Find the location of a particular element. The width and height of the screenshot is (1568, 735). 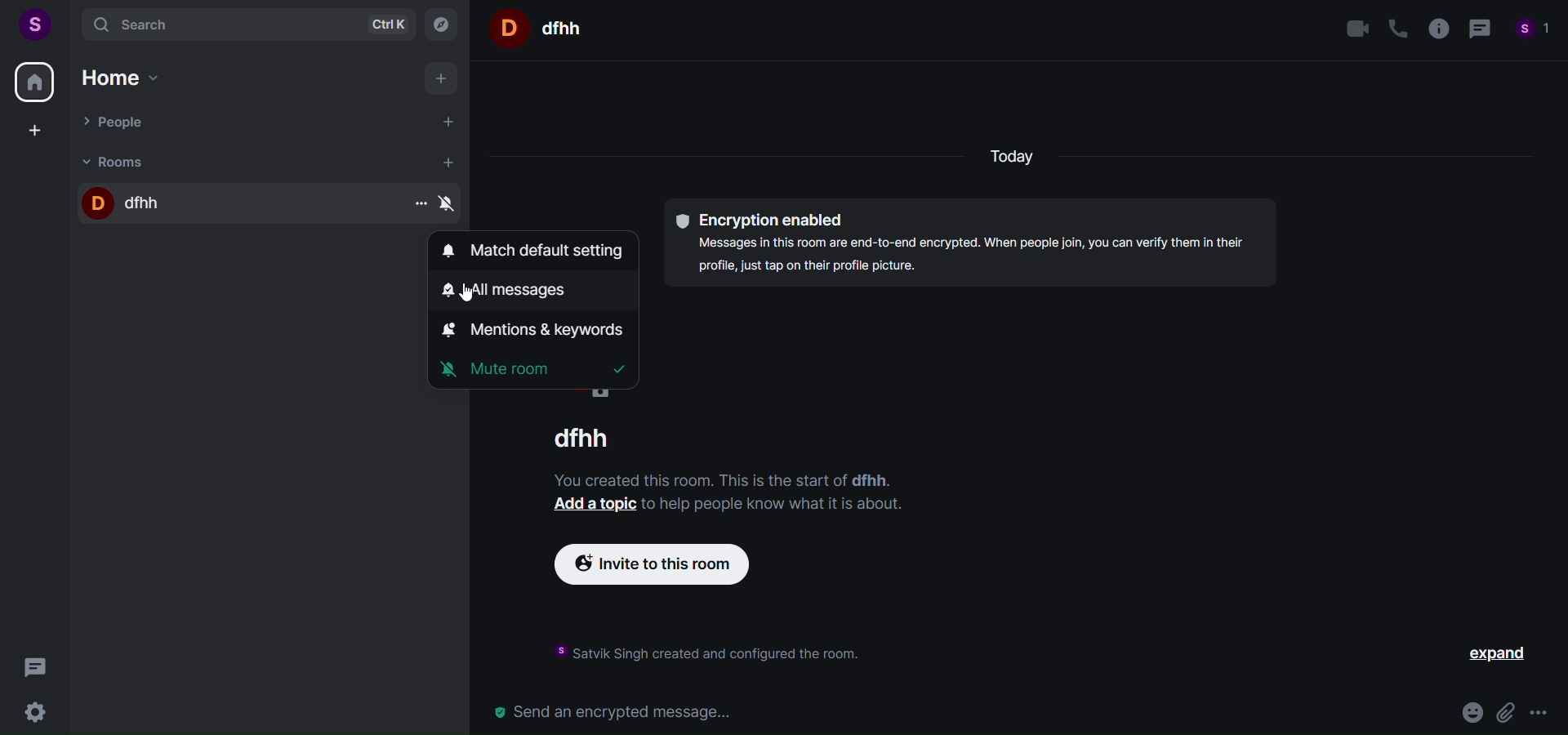

attachment is located at coordinates (1504, 710).